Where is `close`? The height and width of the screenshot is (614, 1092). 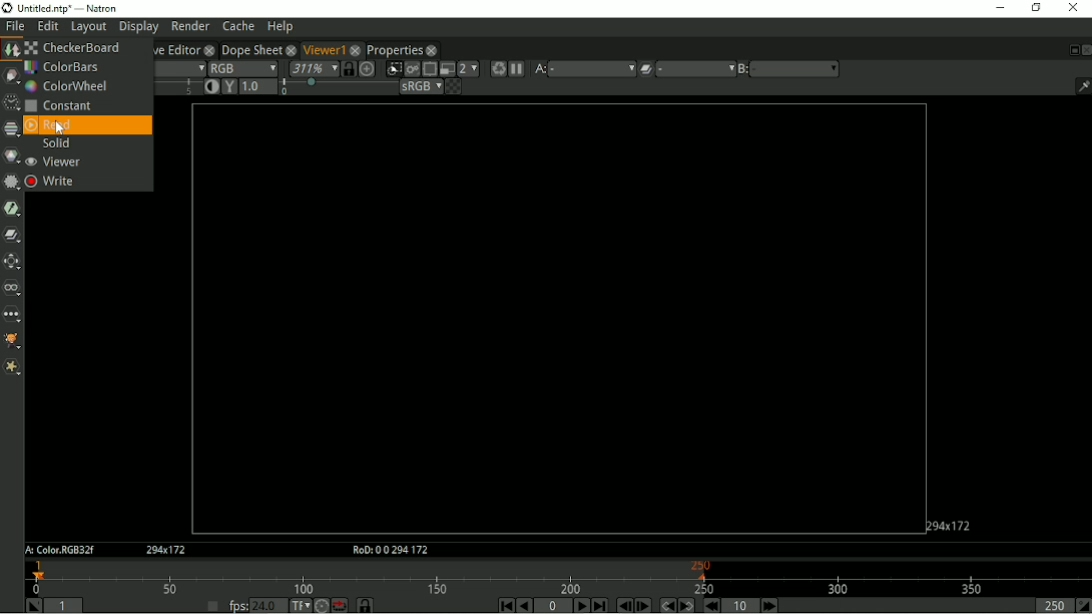 close is located at coordinates (290, 49).